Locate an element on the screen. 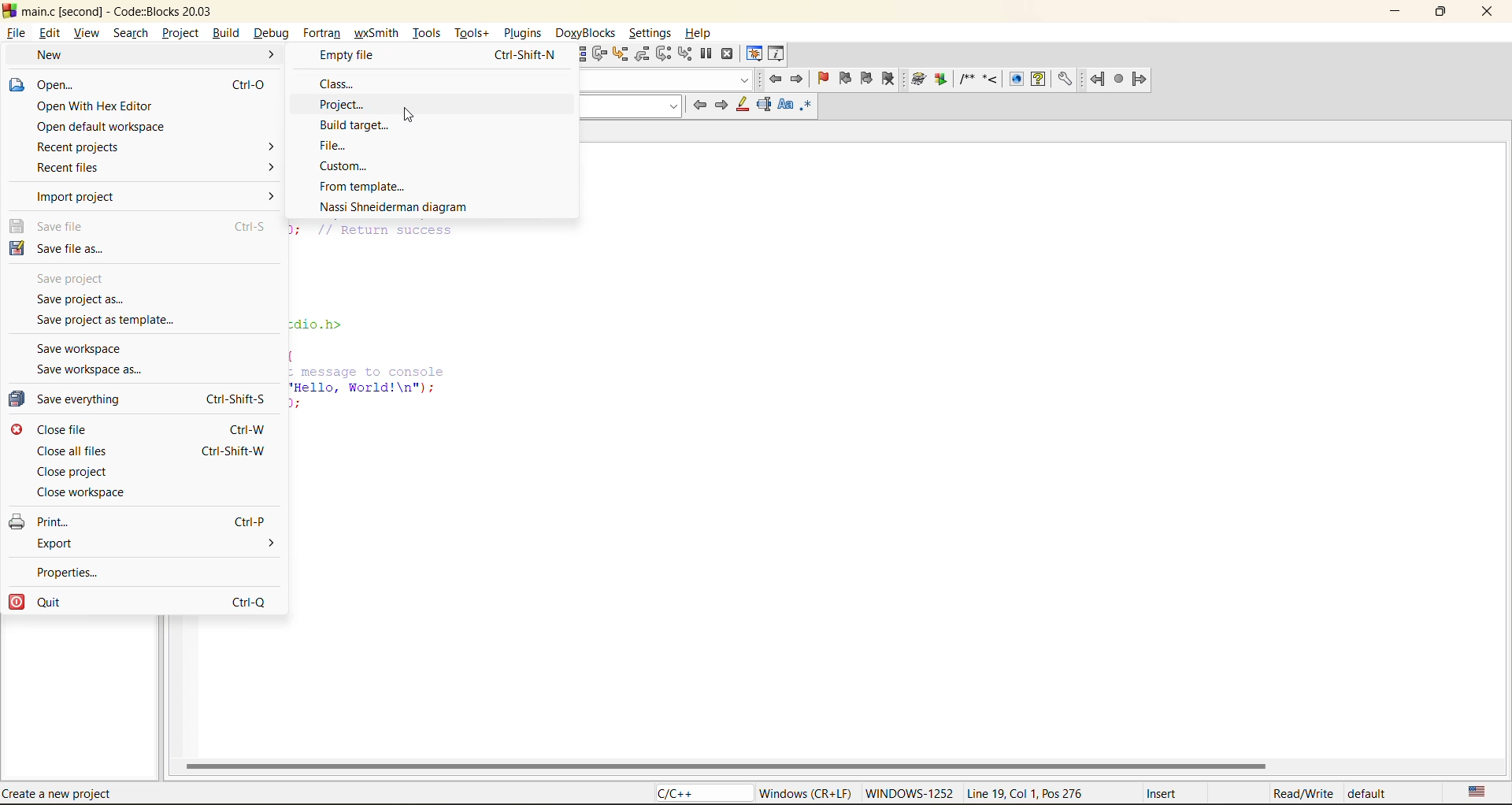 The width and height of the screenshot is (1512, 805). edit is located at coordinates (50, 33).